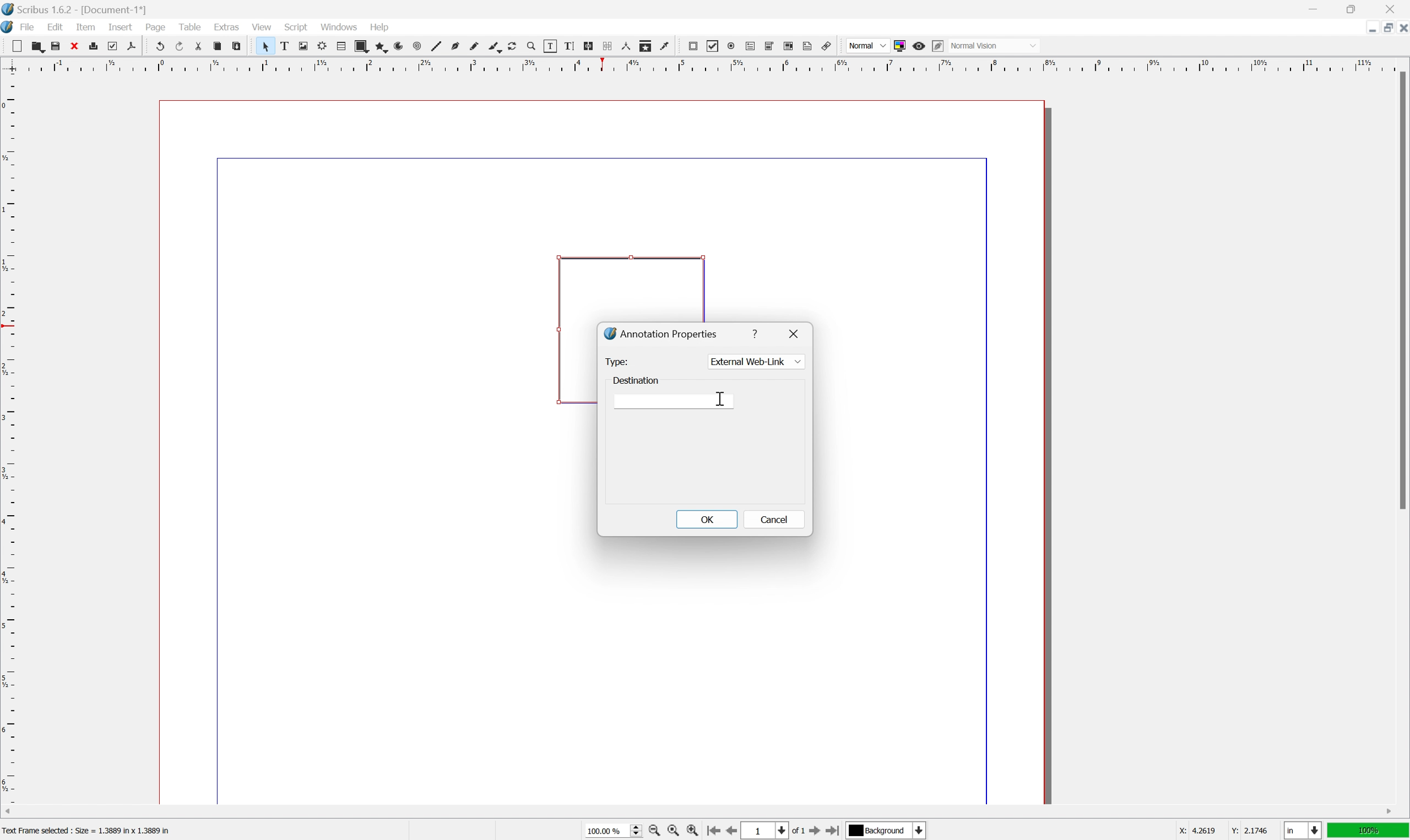  Describe the element at coordinates (626, 46) in the screenshot. I see `measurements` at that location.